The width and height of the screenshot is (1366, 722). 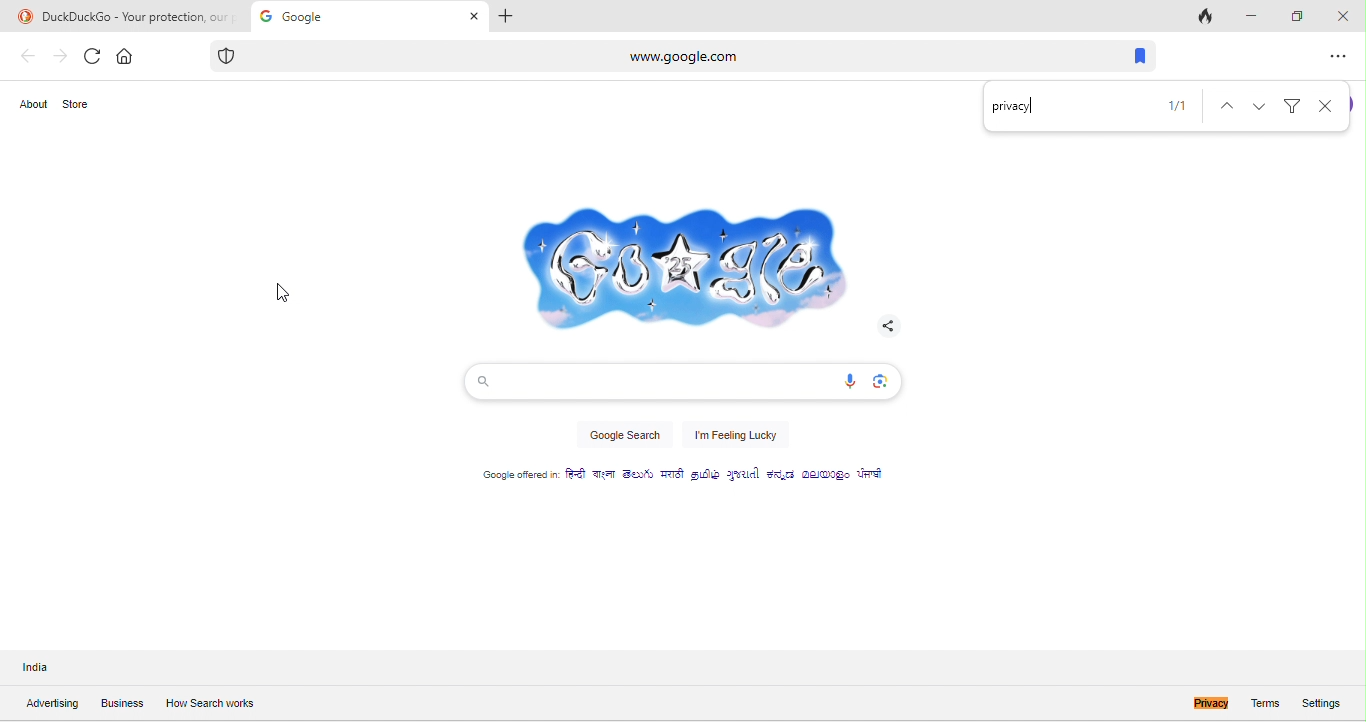 What do you see at coordinates (124, 16) in the screenshot?
I see `DuckGoDuckGo - Your protection` at bounding box center [124, 16].